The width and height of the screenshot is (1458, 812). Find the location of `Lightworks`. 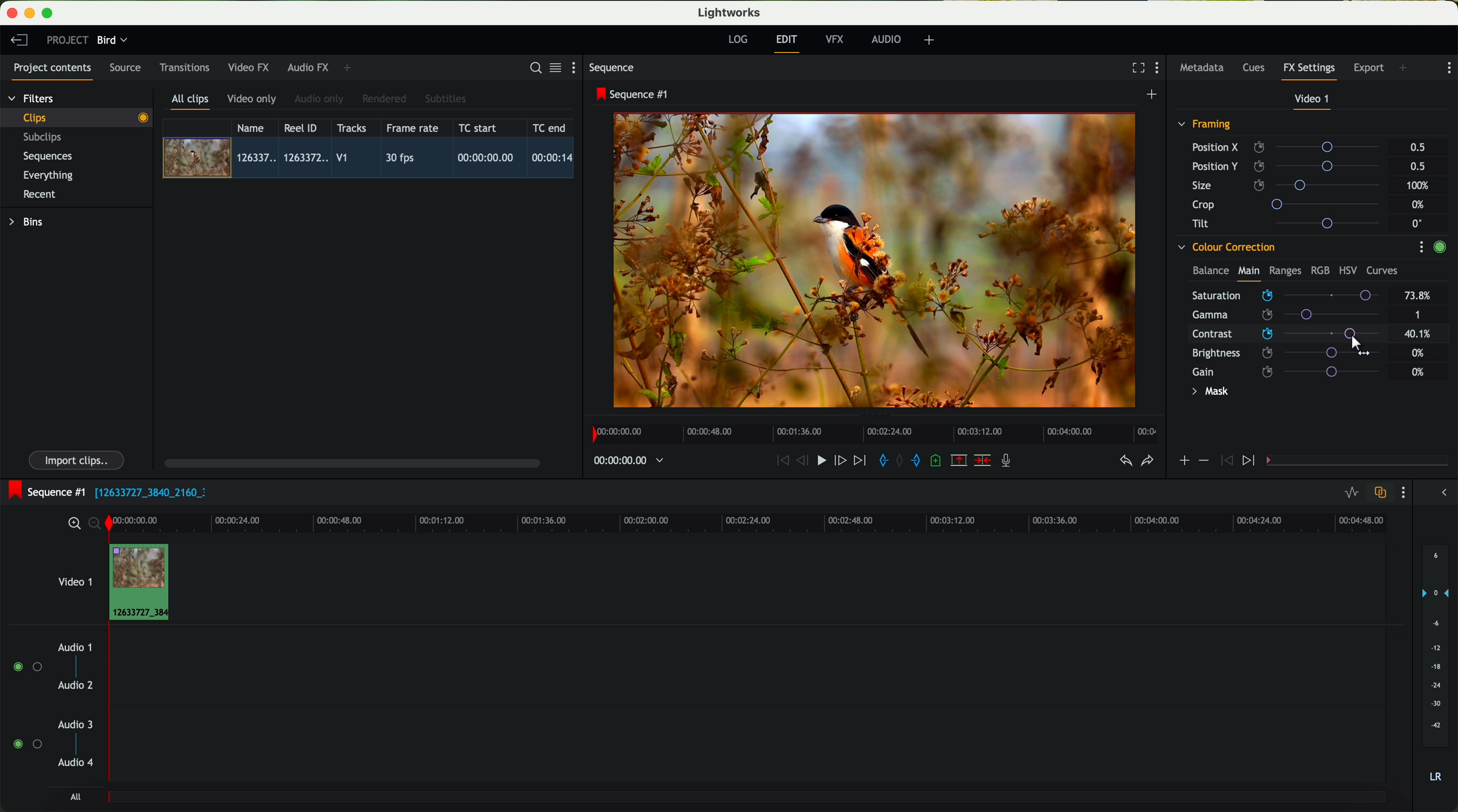

Lightworks is located at coordinates (730, 12).